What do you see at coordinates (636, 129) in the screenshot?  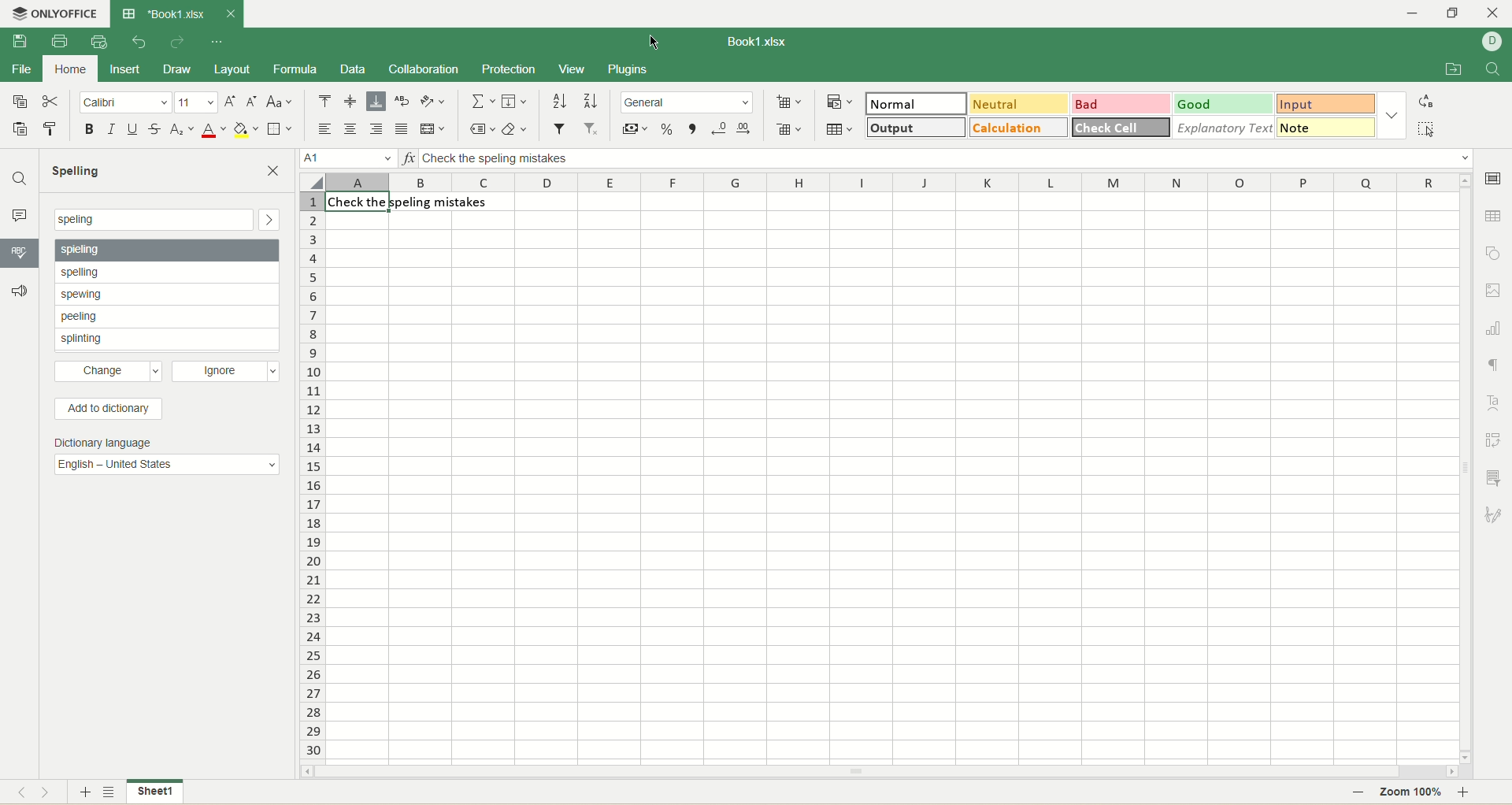 I see `currency style` at bounding box center [636, 129].